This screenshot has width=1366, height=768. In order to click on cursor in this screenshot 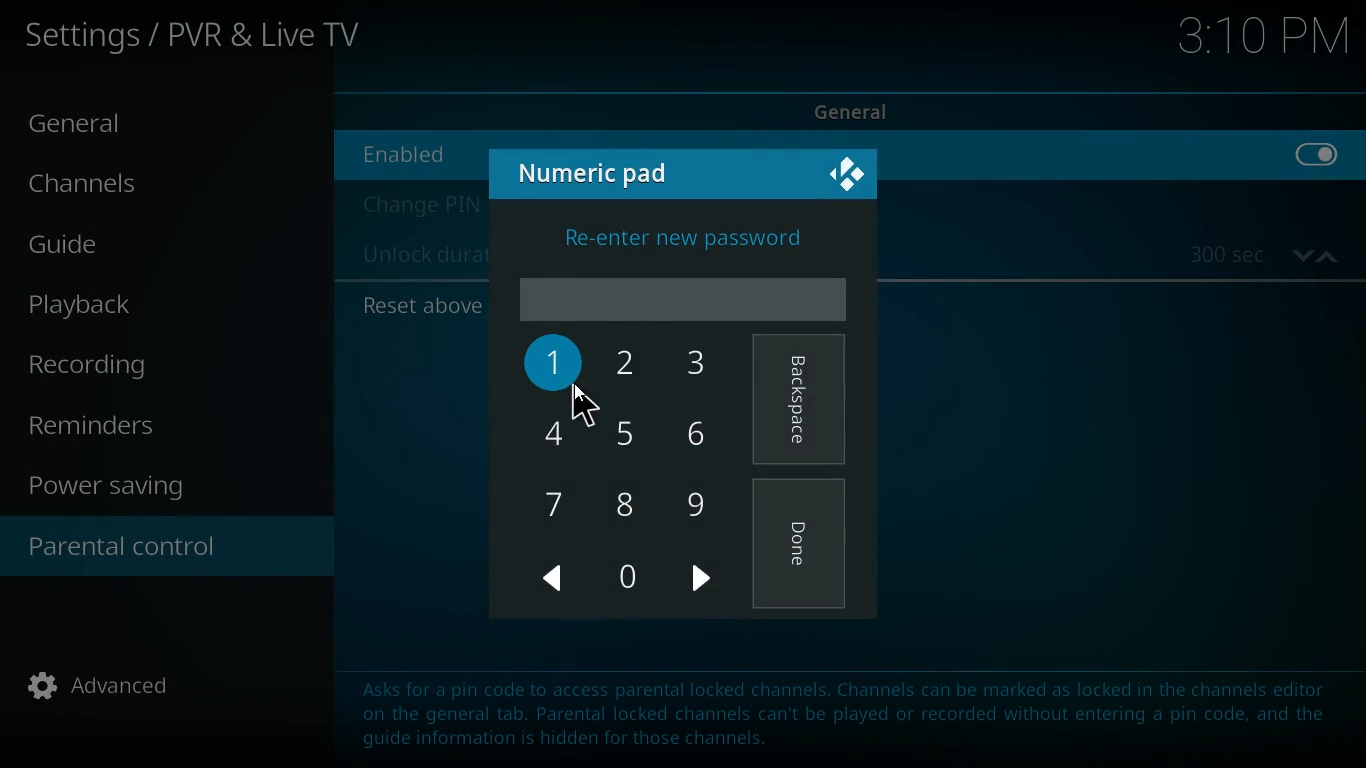, I will do `click(587, 407)`.